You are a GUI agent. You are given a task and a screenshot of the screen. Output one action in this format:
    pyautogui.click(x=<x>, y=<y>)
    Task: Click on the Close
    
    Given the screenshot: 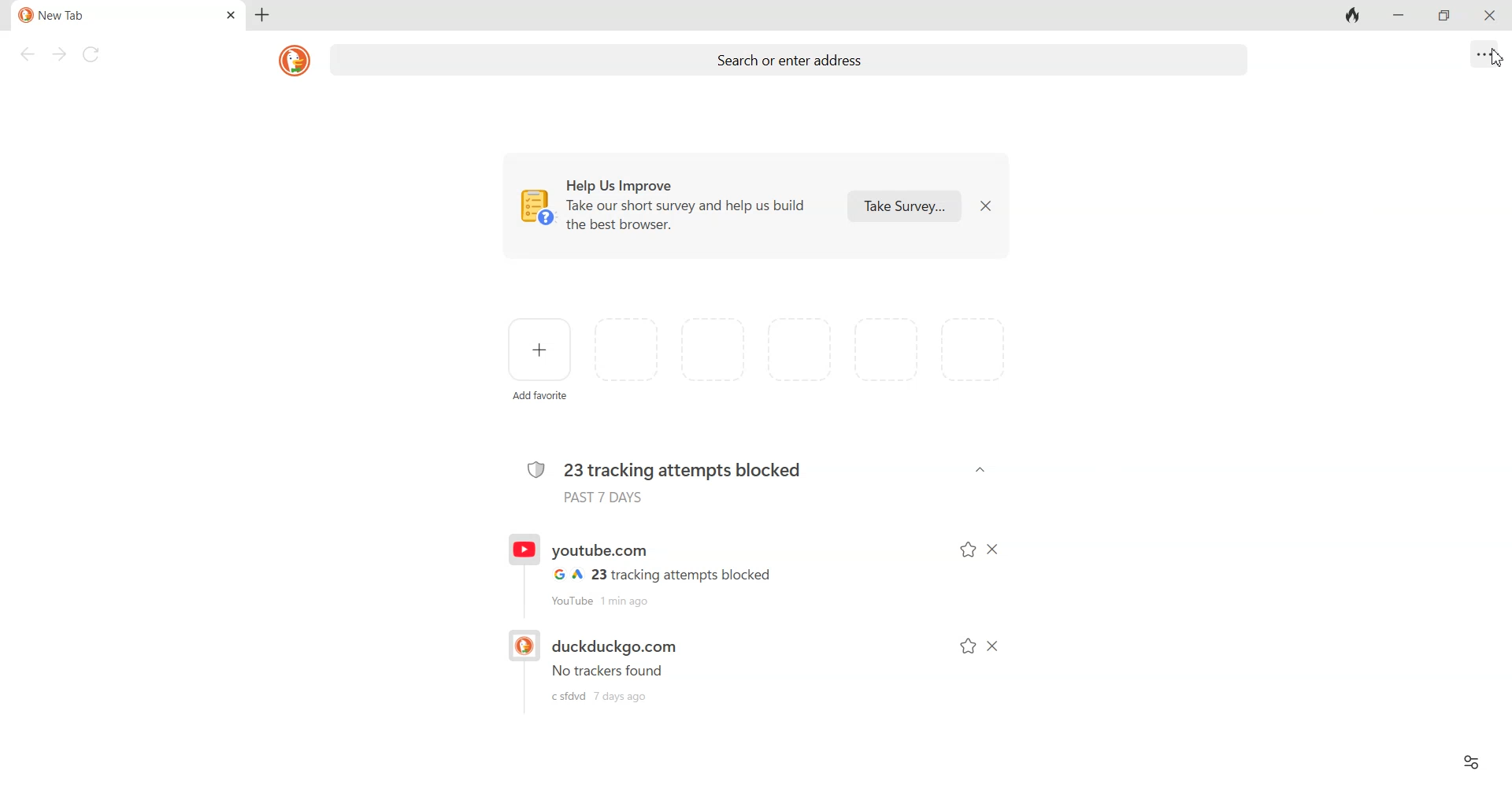 What is the action you would take?
    pyautogui.click(x=1487, y=16)
    